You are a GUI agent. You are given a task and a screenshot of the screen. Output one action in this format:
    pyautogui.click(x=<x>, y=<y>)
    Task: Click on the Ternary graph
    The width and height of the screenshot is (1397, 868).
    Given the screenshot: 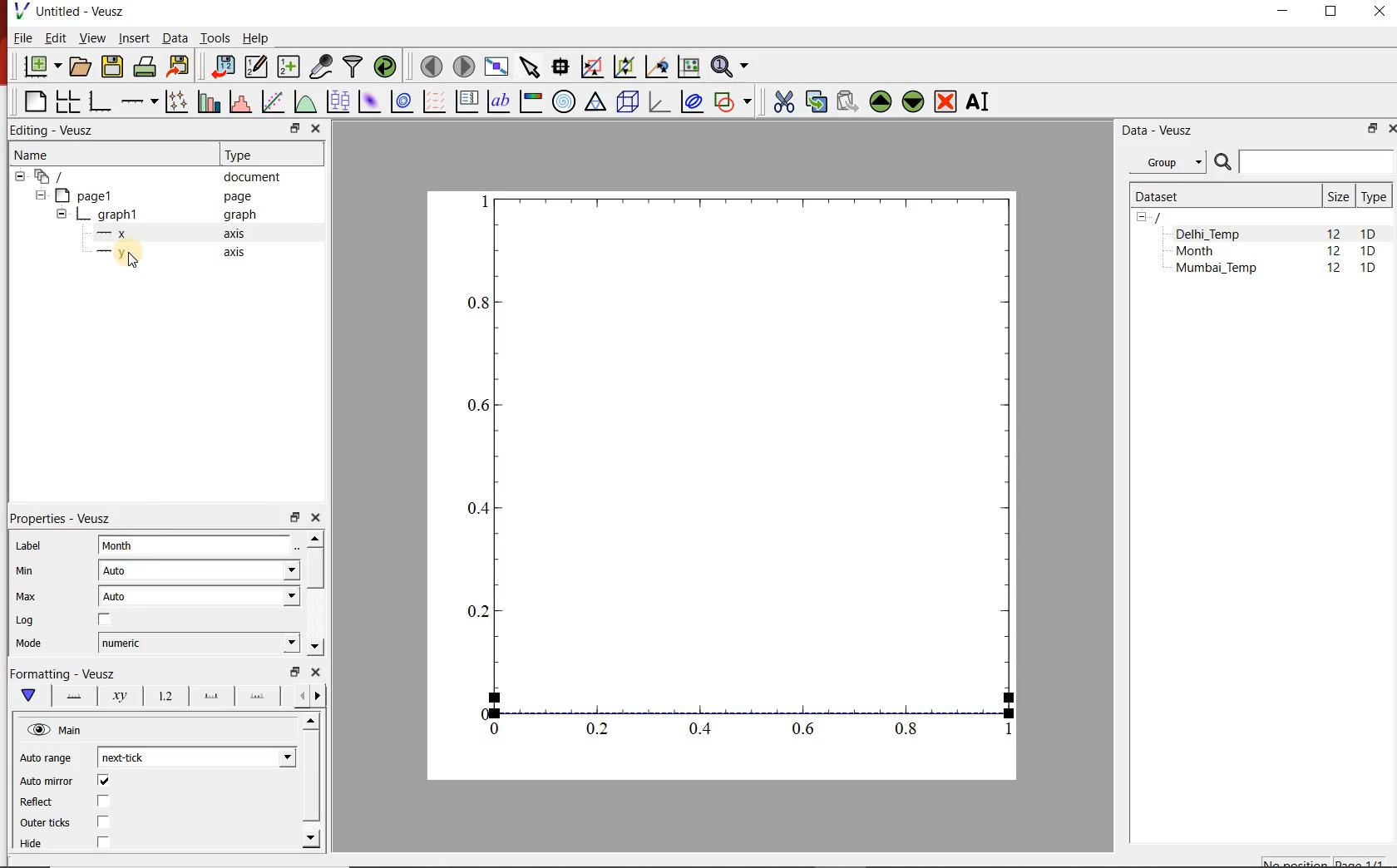 What is the action you would take?
    pyautogui.click(x=595, y=103)
    